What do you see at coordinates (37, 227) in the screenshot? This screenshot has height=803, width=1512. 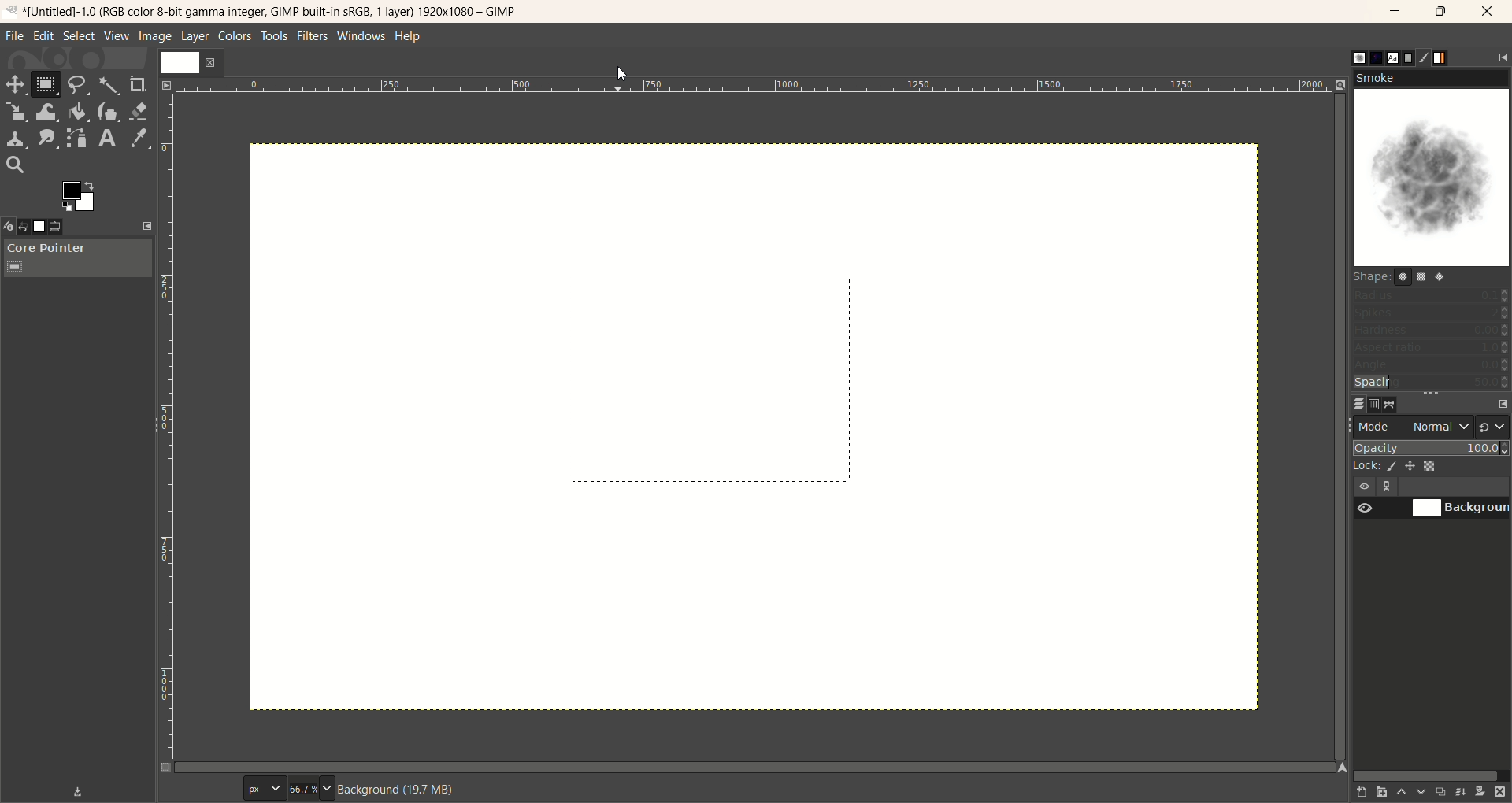 I see `images` at bounding box center [37, 227].